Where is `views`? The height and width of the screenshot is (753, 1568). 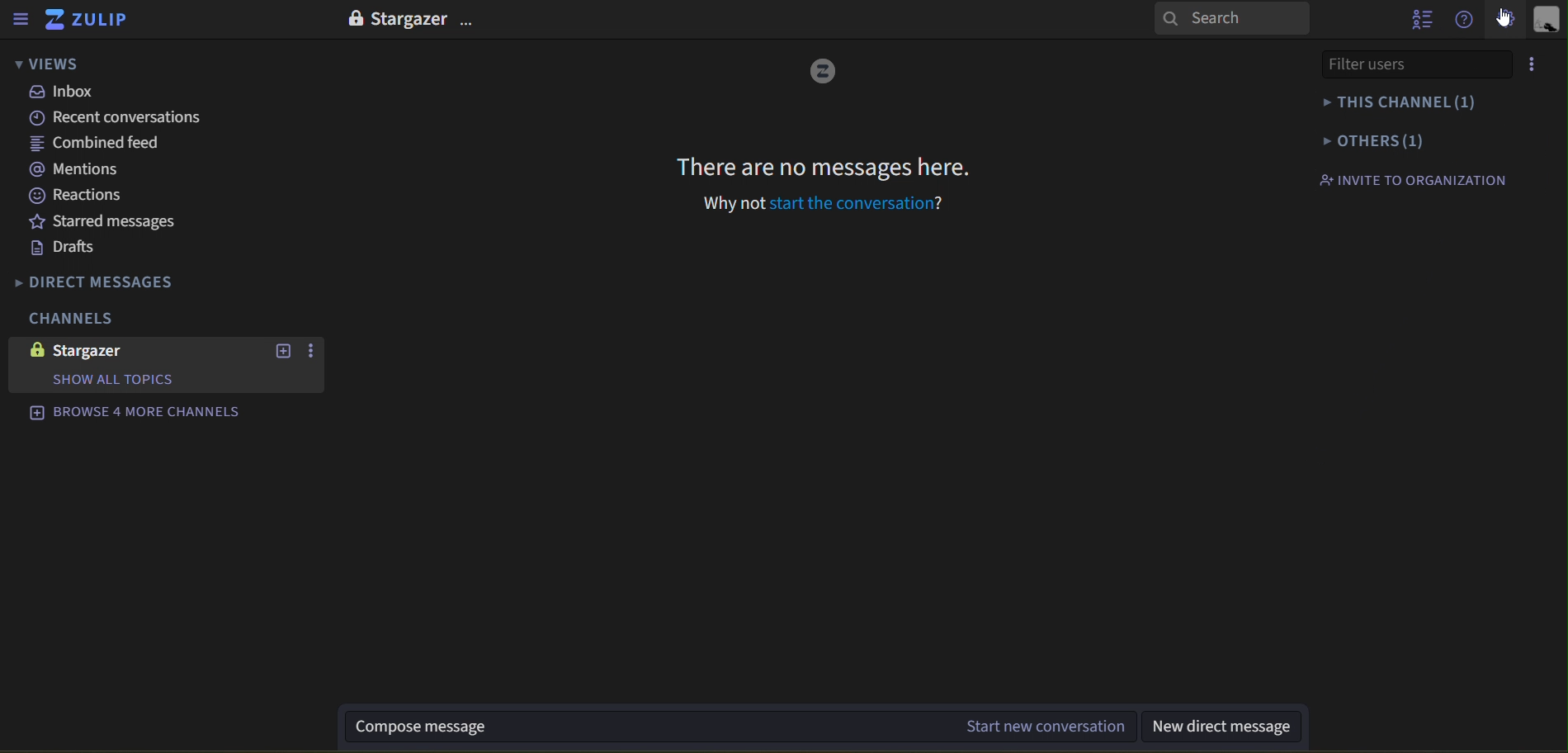 views is located at coordinates (58, 63).